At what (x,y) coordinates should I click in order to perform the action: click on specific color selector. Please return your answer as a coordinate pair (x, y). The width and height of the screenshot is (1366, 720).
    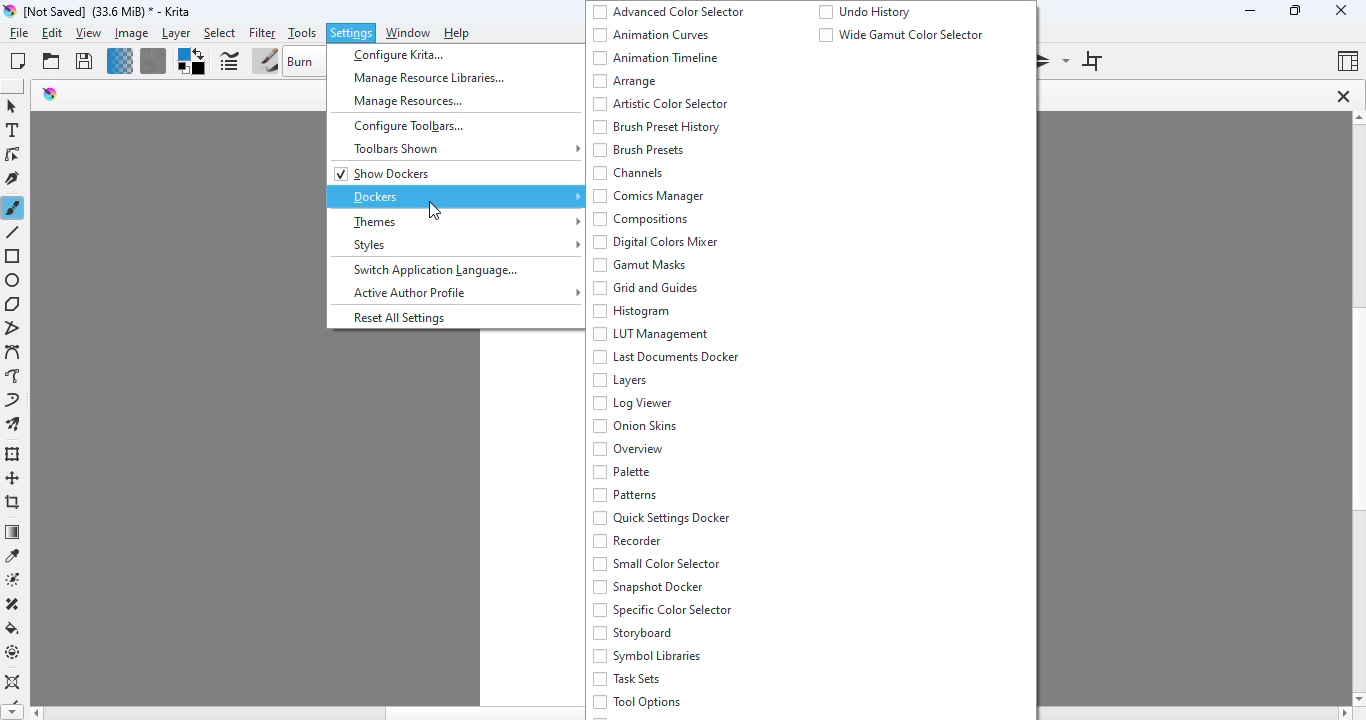
    Looking at the image, I should click on (662, 609).